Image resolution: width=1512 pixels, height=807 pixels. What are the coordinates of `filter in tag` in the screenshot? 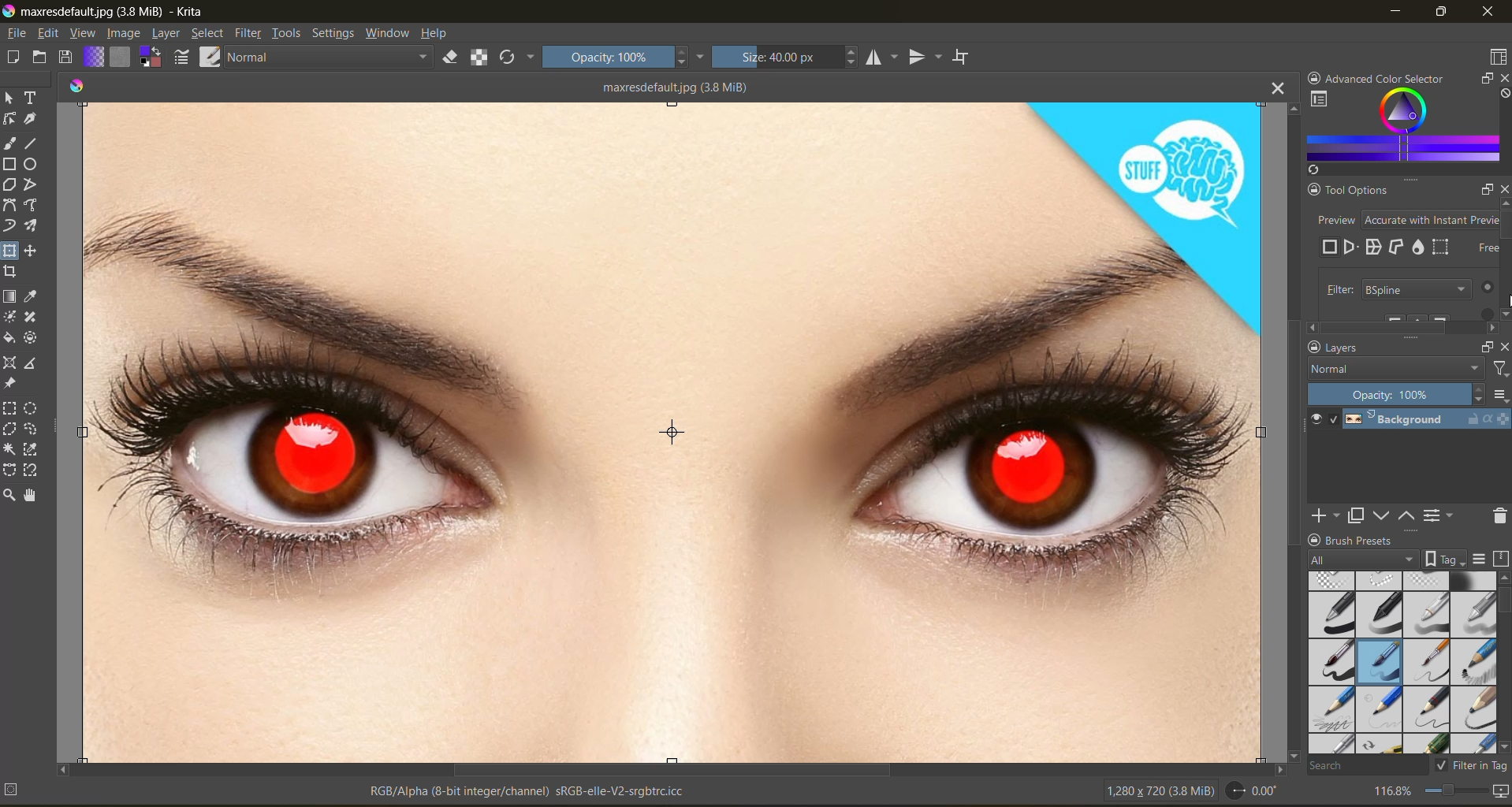 It's located at (1473, 765).